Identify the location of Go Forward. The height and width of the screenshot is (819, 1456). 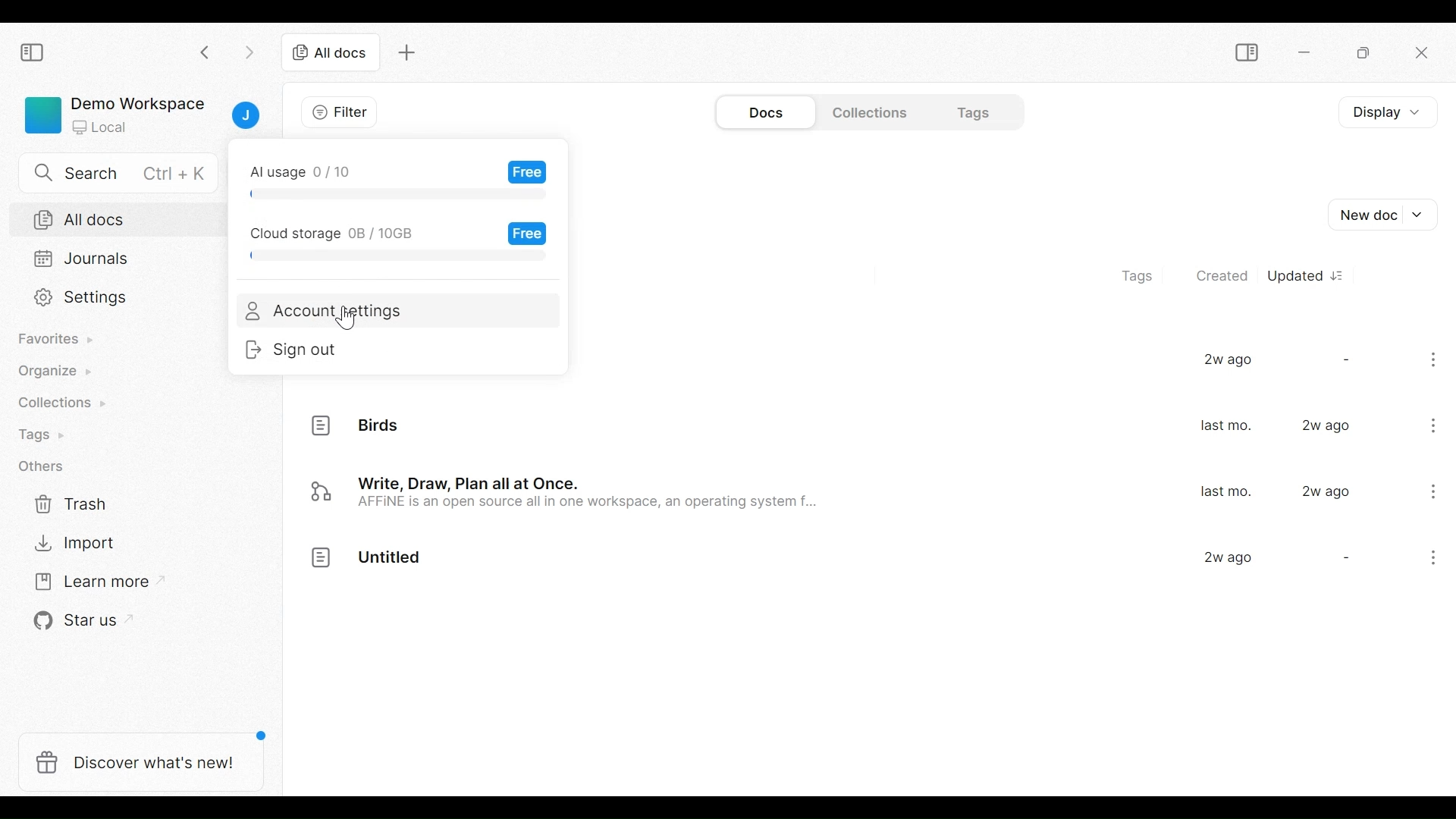
(246, 52).